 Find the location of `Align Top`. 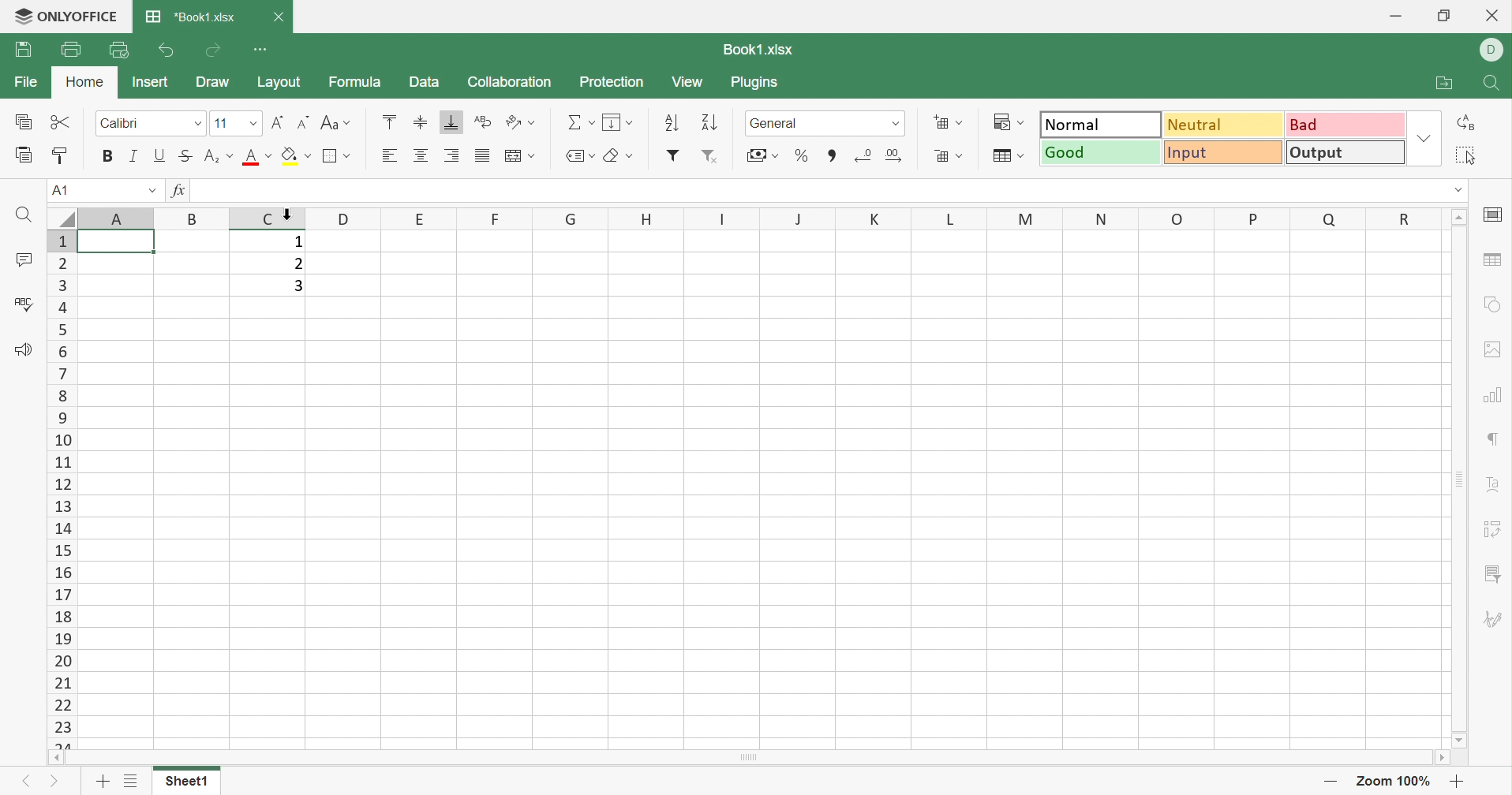

Align Top is located at coordinates (391, 121).